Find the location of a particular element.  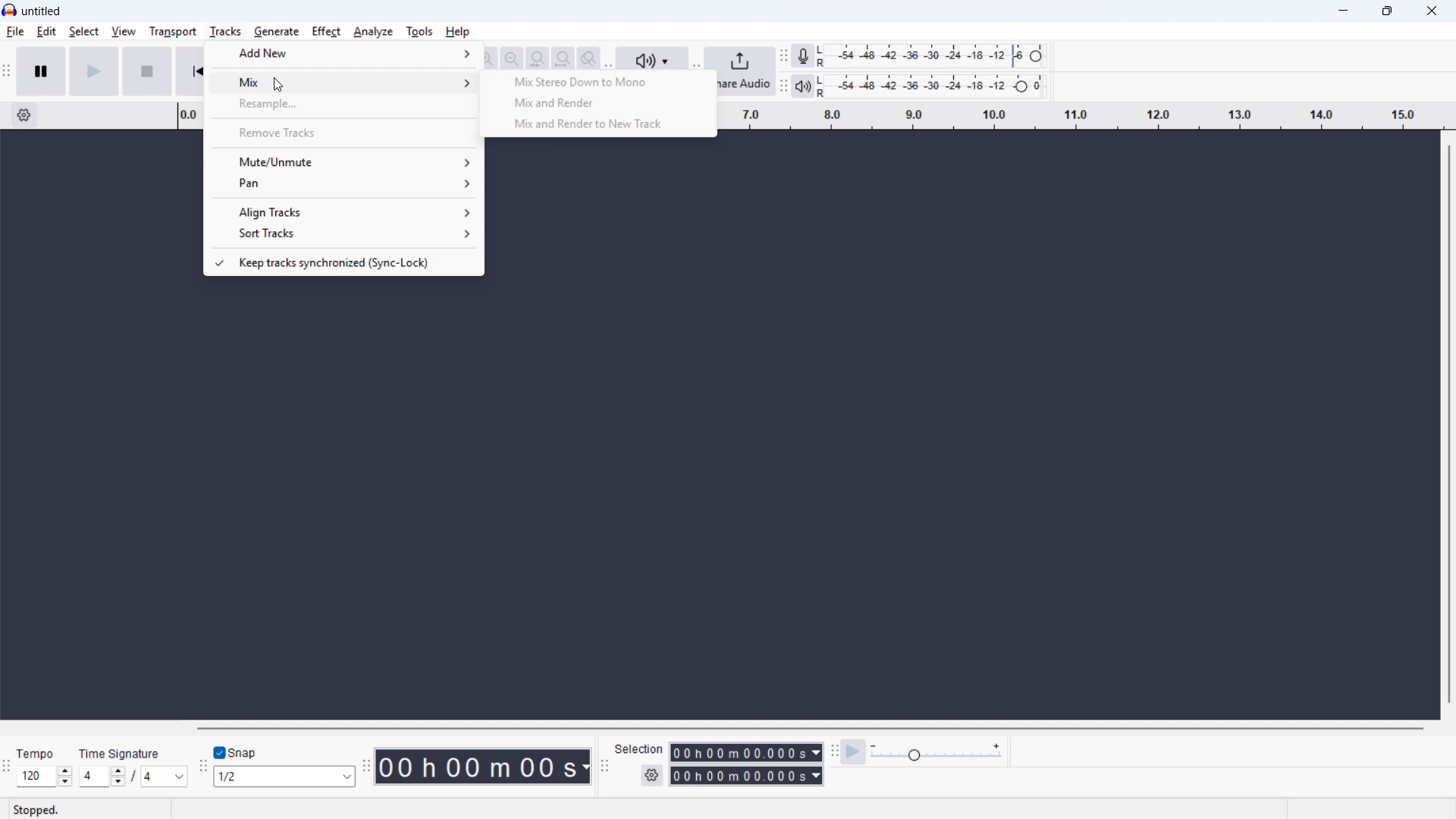

stopped. is located at coordinates (36, 810).